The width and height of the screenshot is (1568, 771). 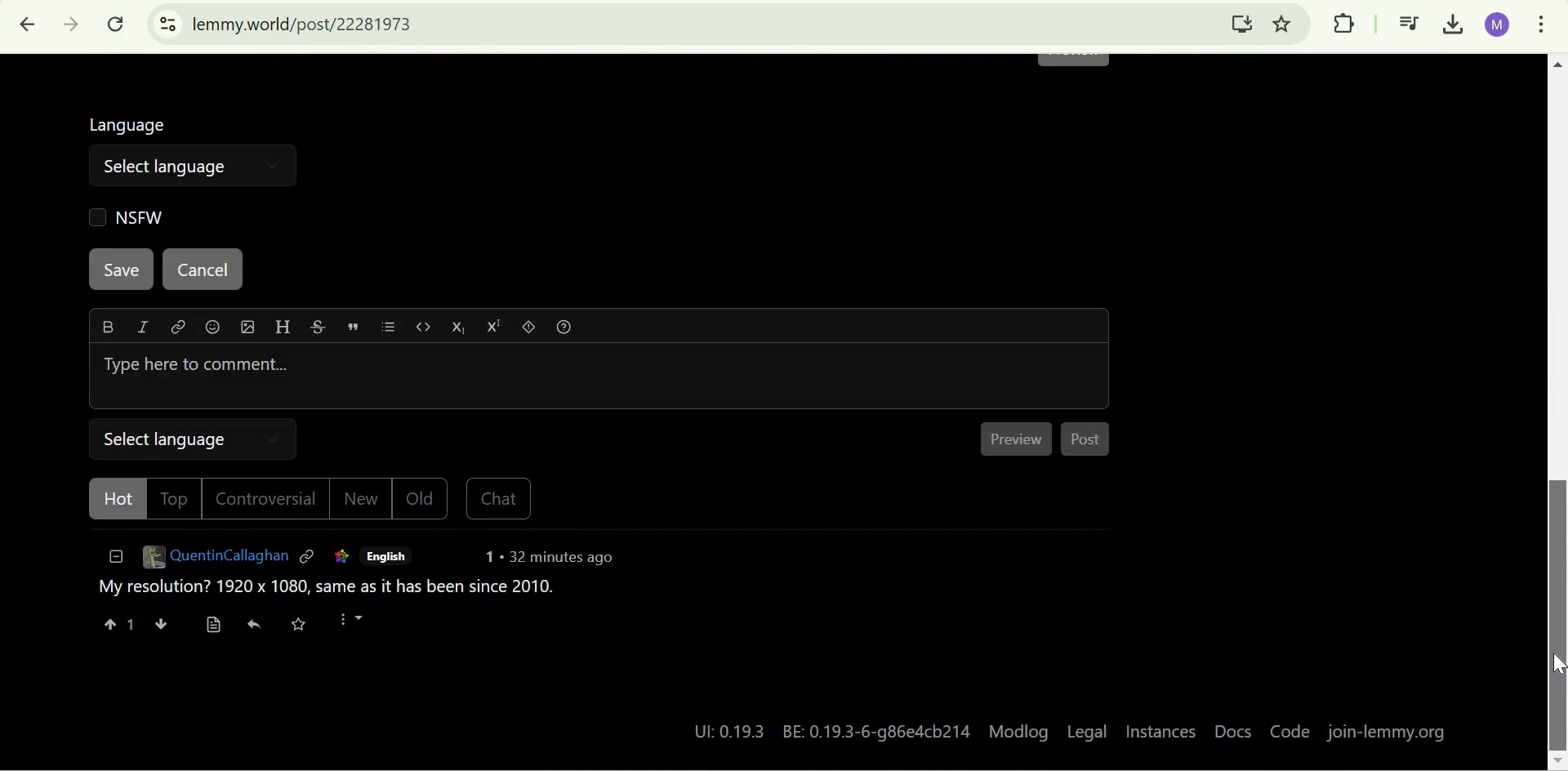 What do you see at coordinates (165, 165) in the screenshot?
I see `Select language` at bounding box center [165, 165].